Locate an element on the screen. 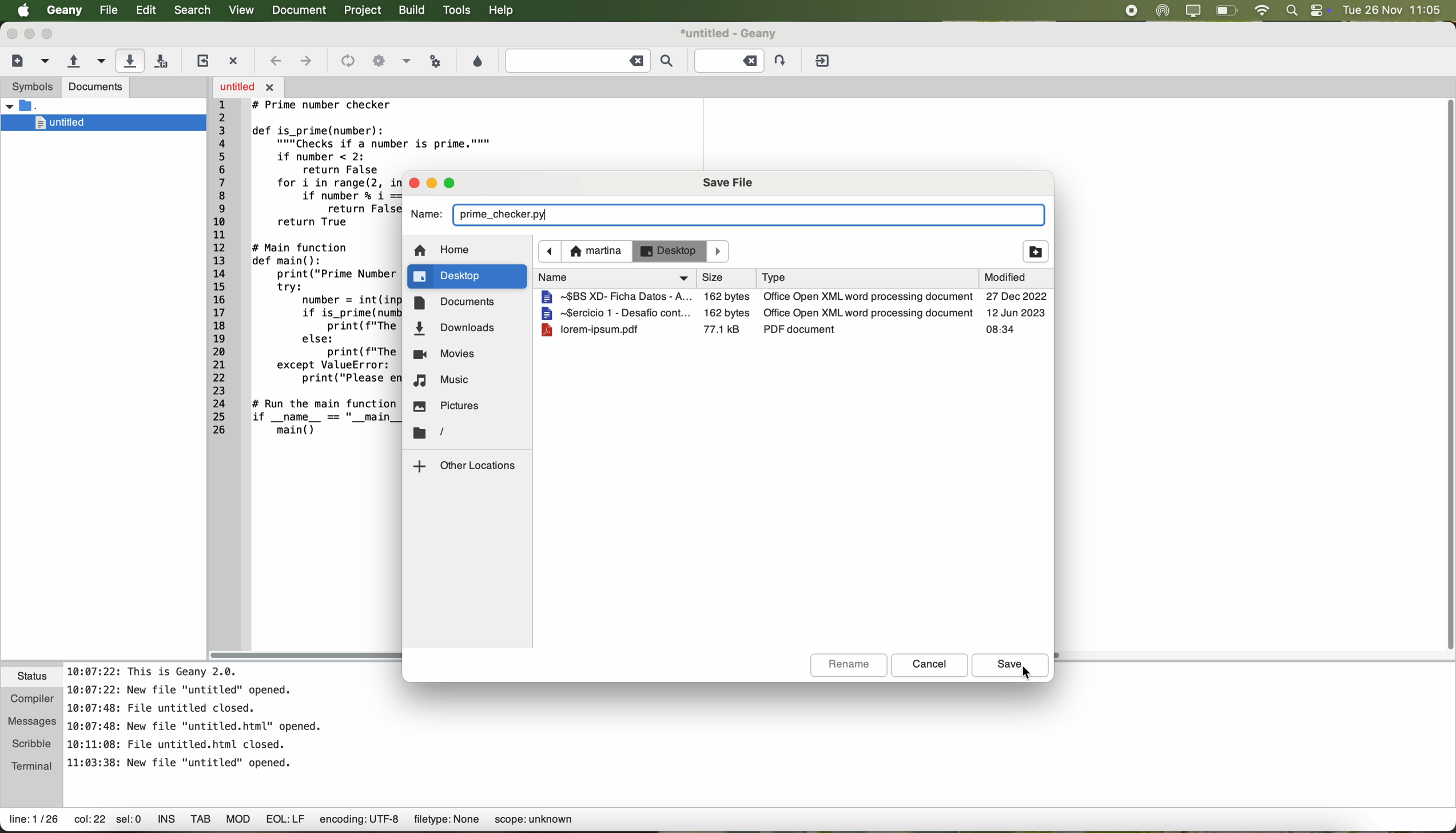 This screenshot has height=833, width=1456. maximize pop-up is located at coordinates (452, 183).